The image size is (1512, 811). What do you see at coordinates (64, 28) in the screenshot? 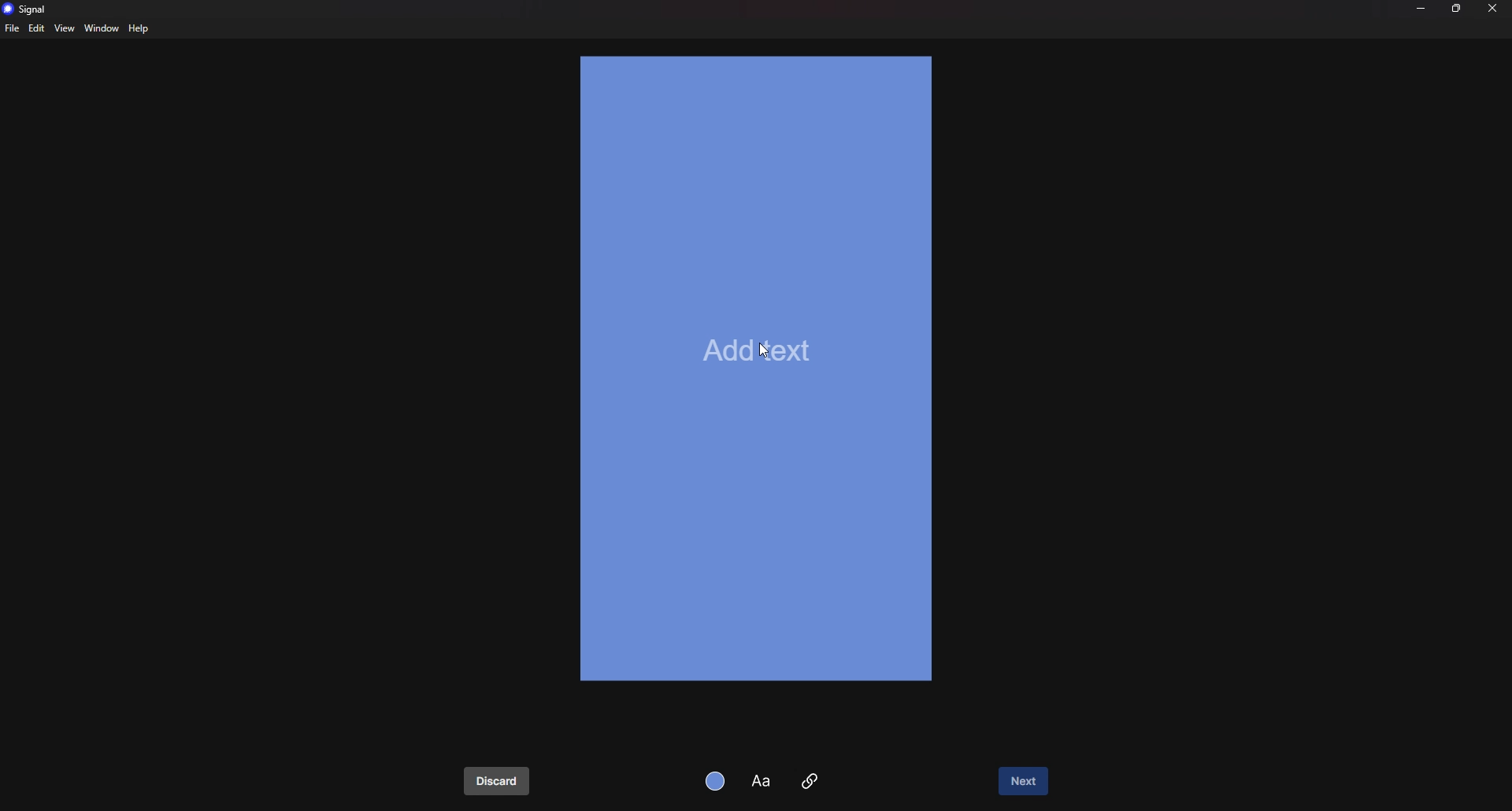
I see `view` at bounding box center [64, 28].